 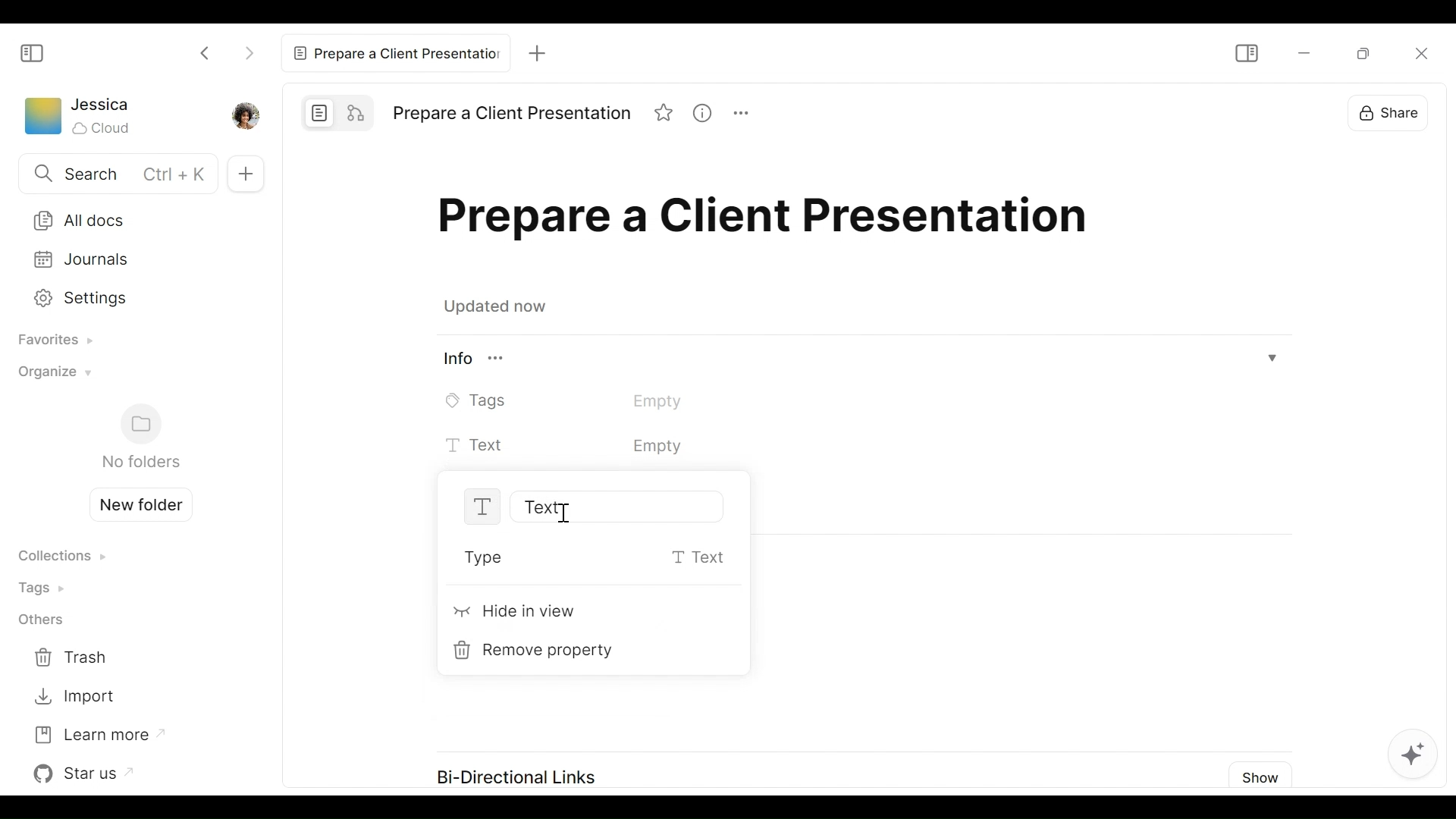 I want to click on Favorites, so click(x=50, y=341).